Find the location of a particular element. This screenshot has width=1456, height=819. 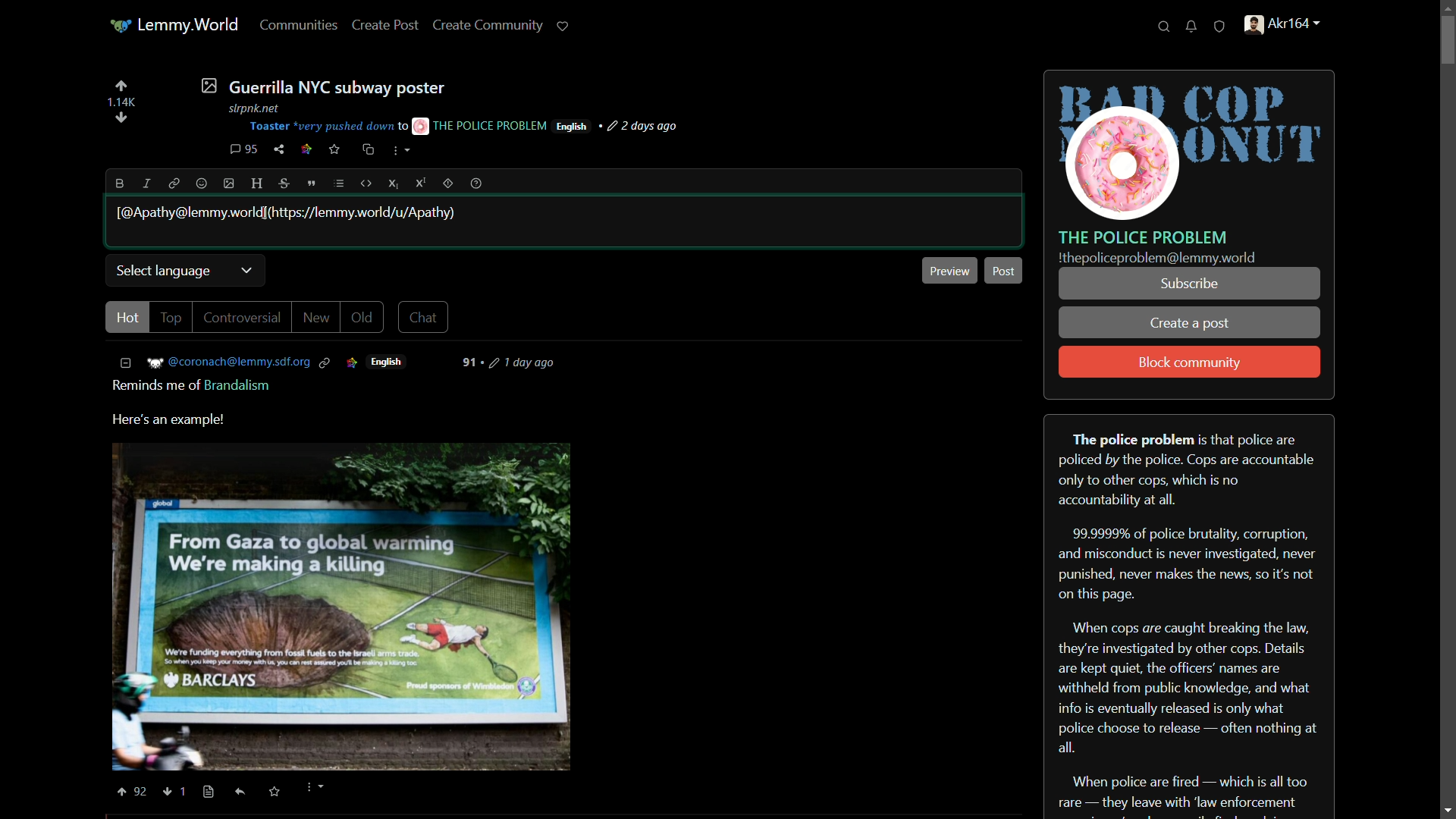

TOP is located at coordinates (173, 318).